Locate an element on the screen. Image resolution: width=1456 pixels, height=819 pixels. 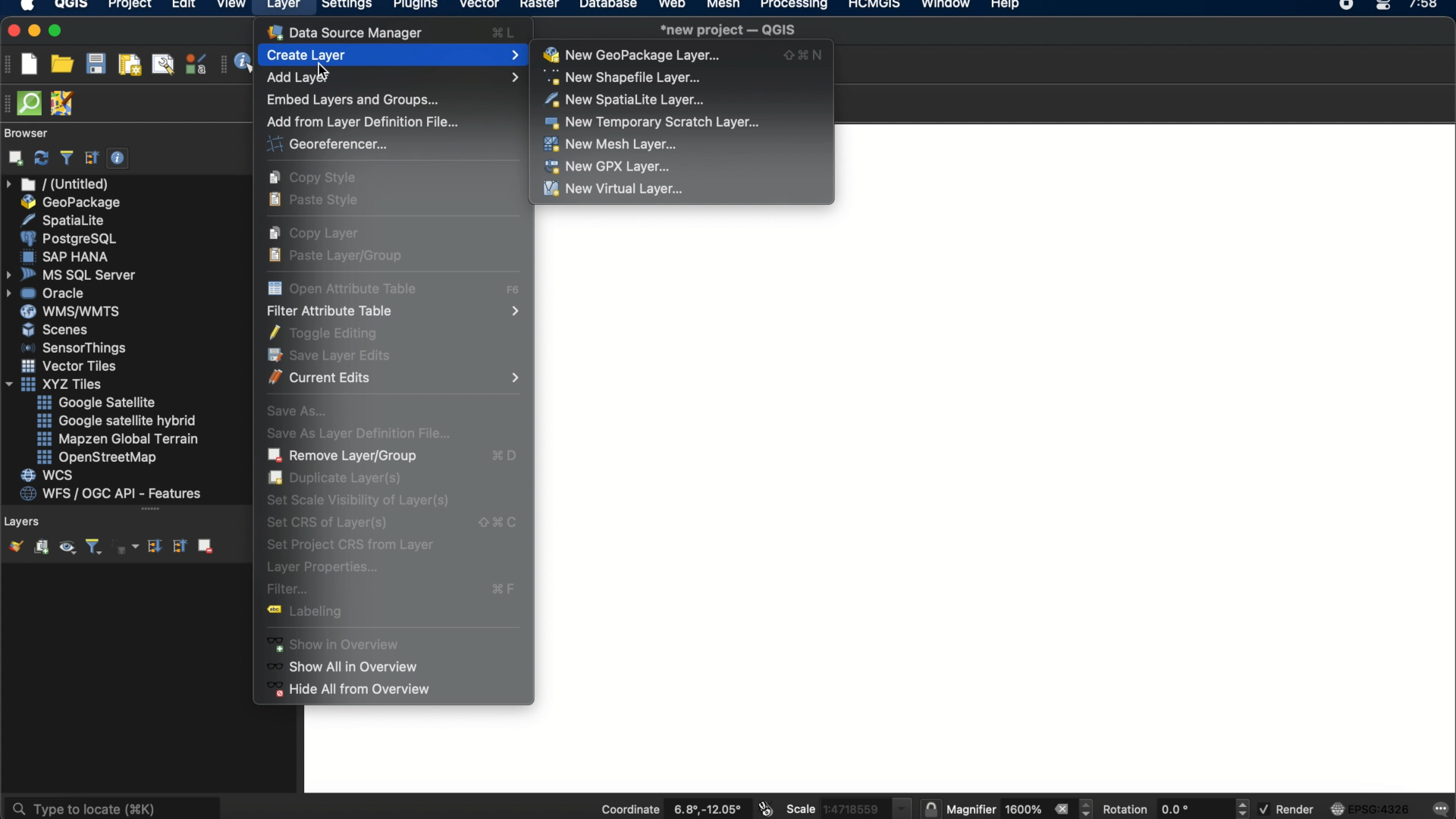
7:58 is located at coordinates (1425, 9).